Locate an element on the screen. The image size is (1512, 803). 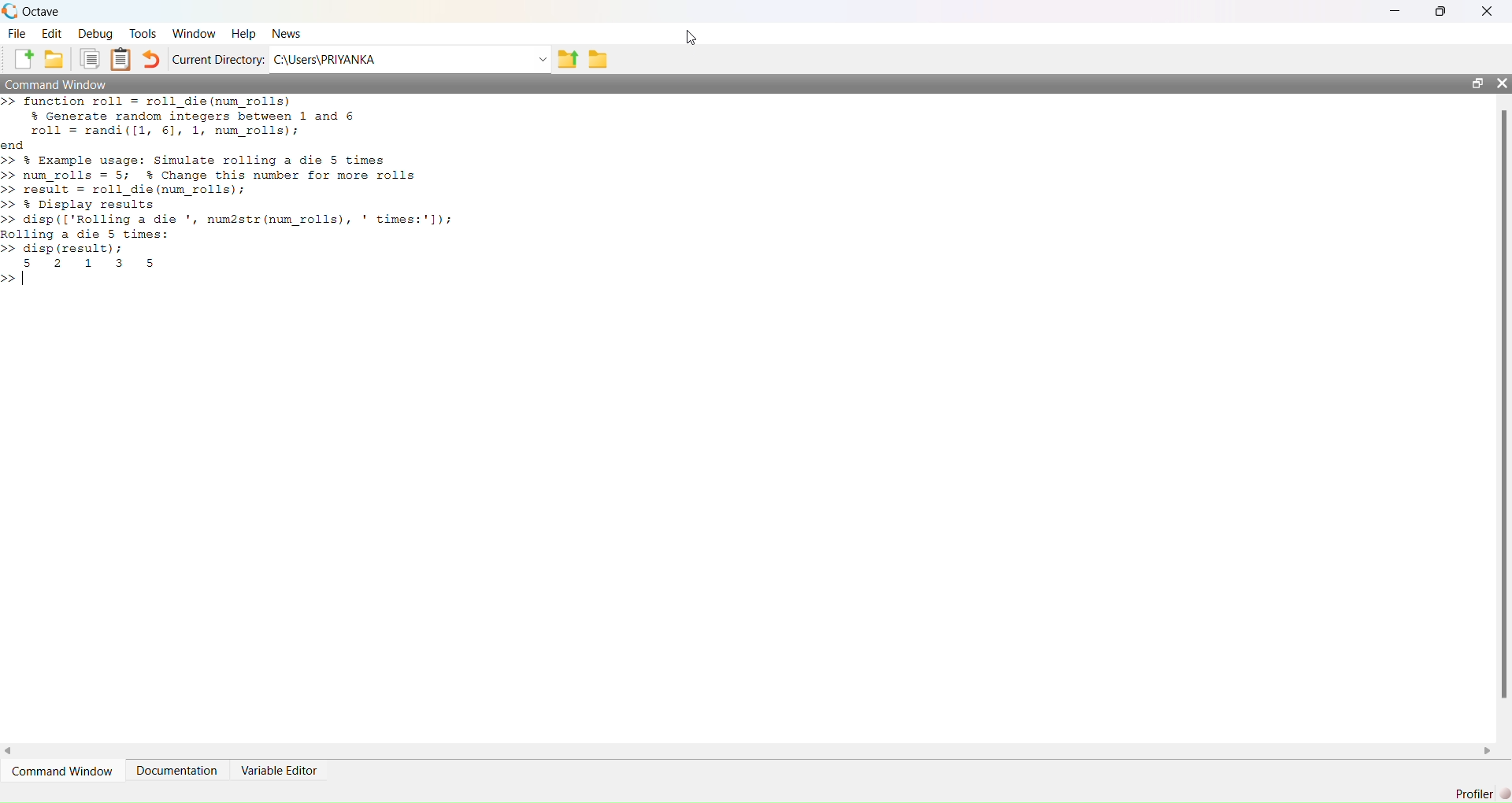
Clipboard  is located at coordinates (122, 58).